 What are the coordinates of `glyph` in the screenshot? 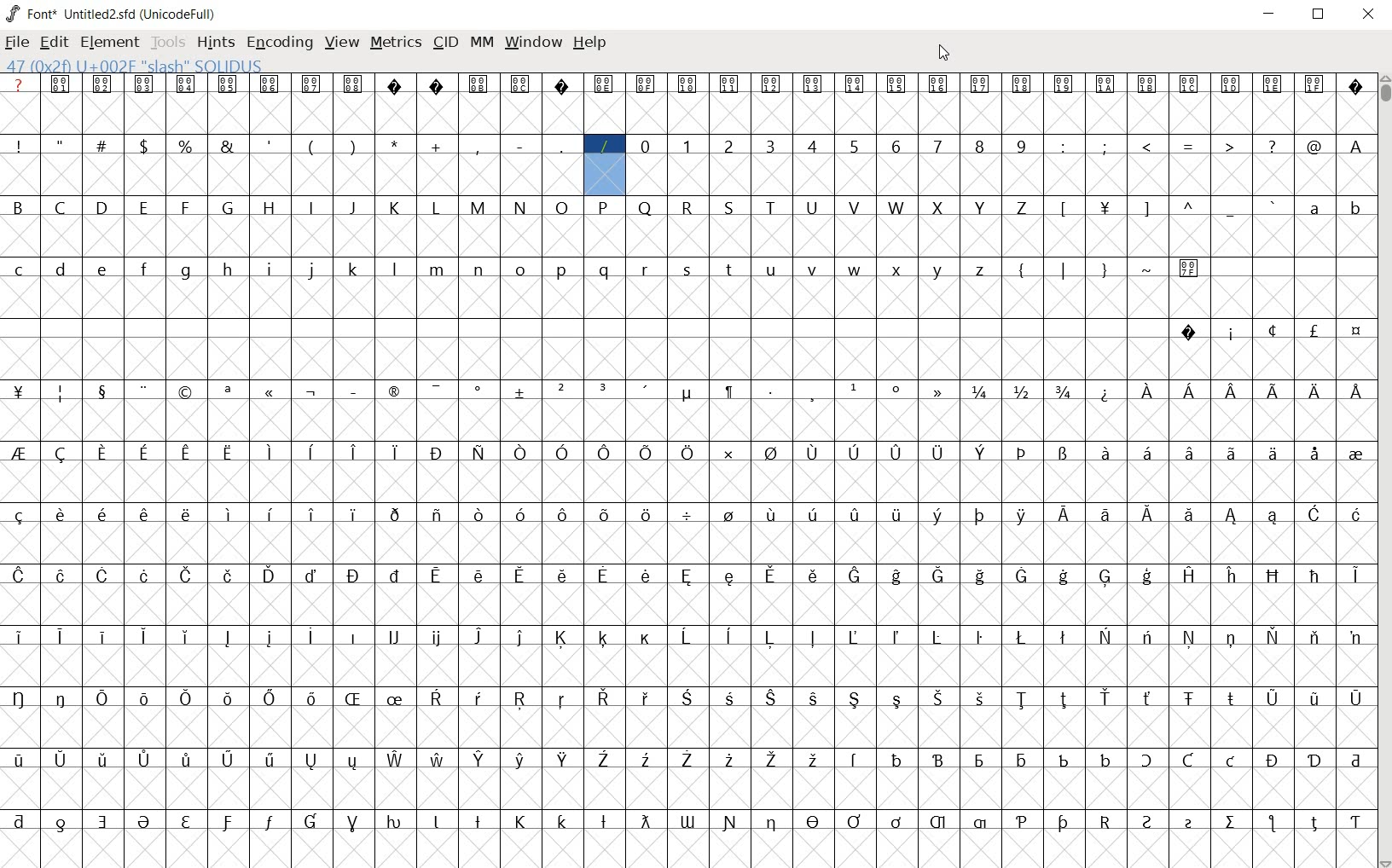 It's located at (1232, 517).